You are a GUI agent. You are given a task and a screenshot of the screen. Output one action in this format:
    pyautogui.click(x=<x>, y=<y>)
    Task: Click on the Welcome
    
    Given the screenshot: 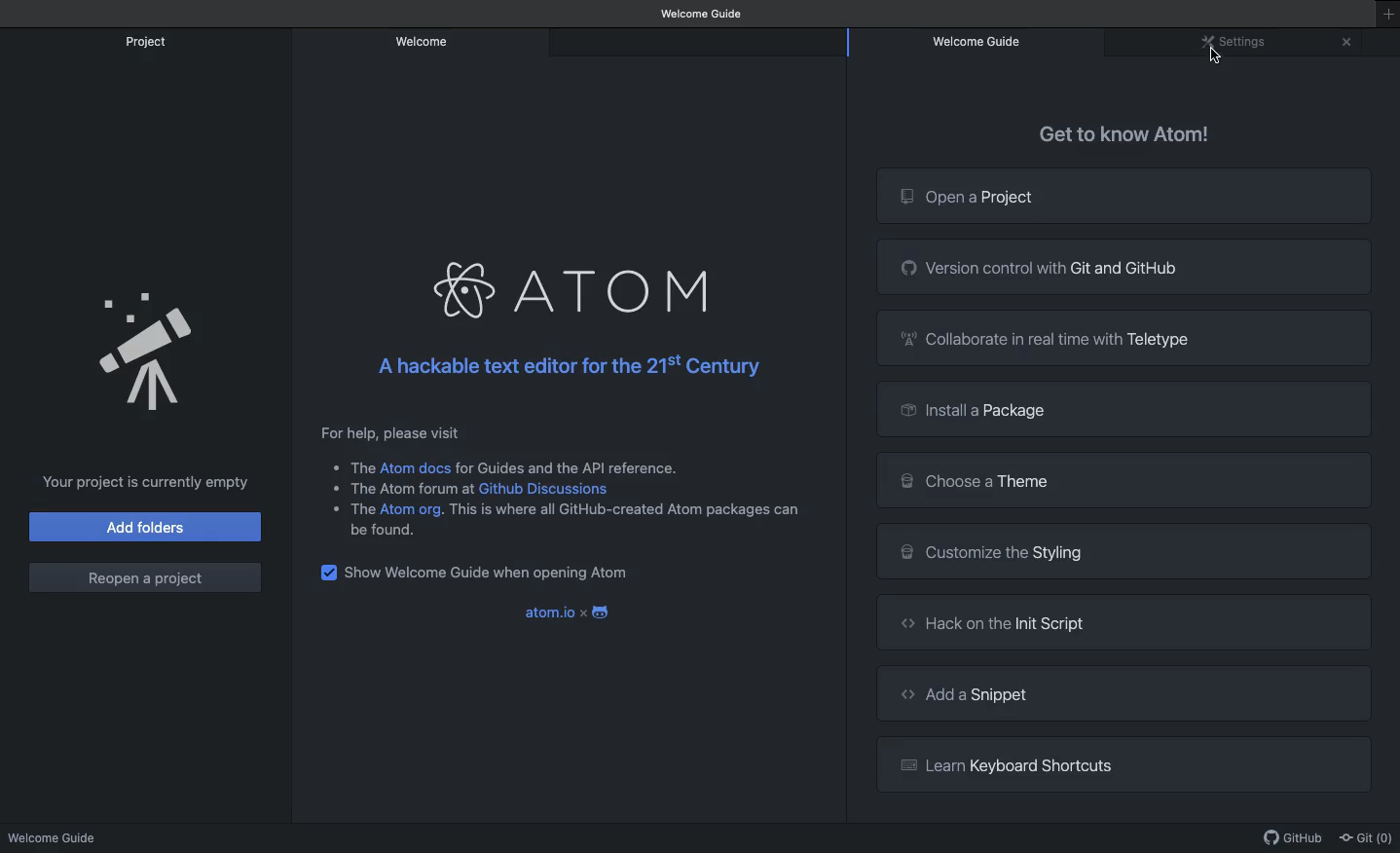 What is the action you would take?
    pyautogui.click(x=422, y=42)
    